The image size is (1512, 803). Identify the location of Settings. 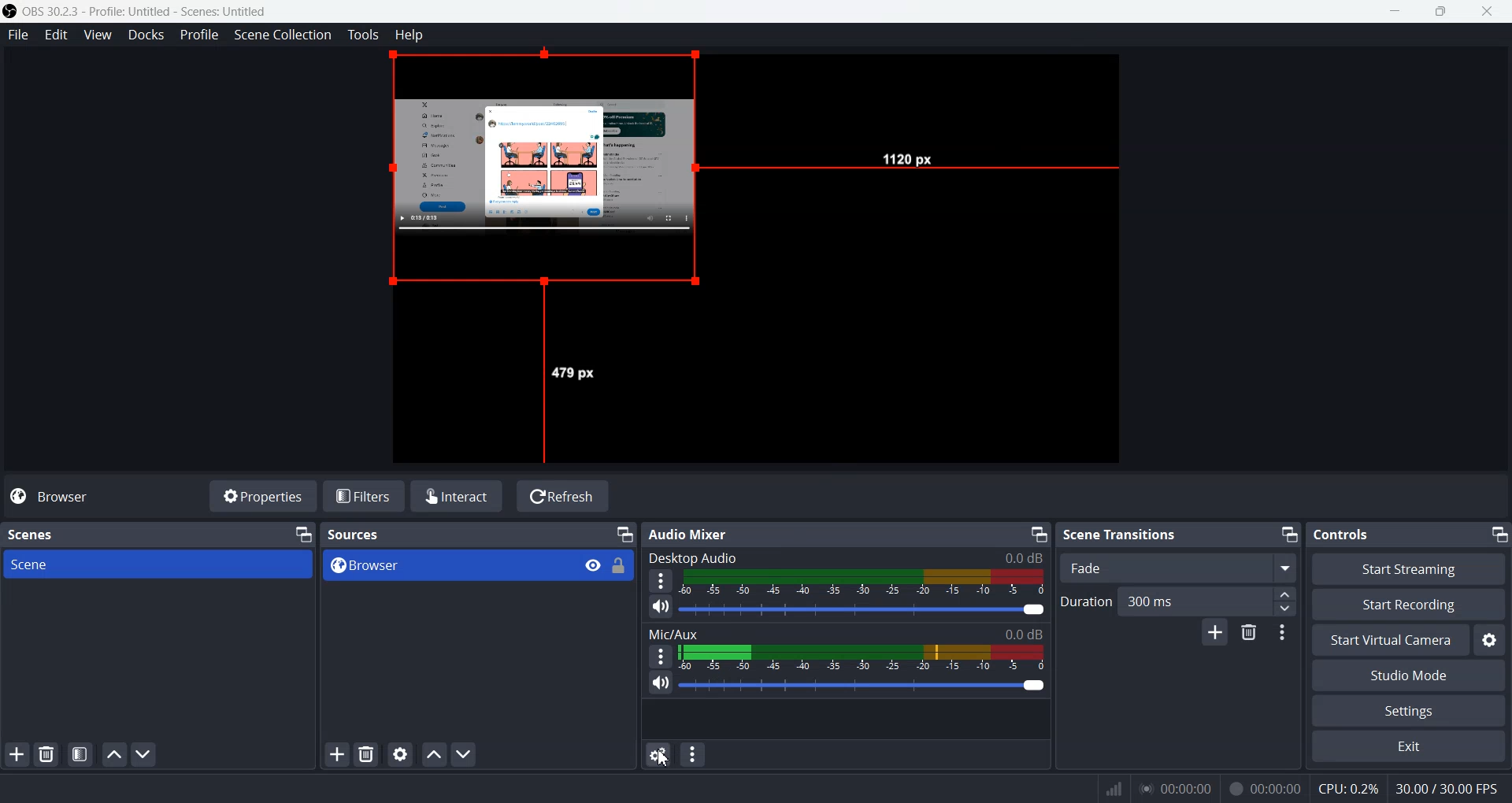
(1490, 640).